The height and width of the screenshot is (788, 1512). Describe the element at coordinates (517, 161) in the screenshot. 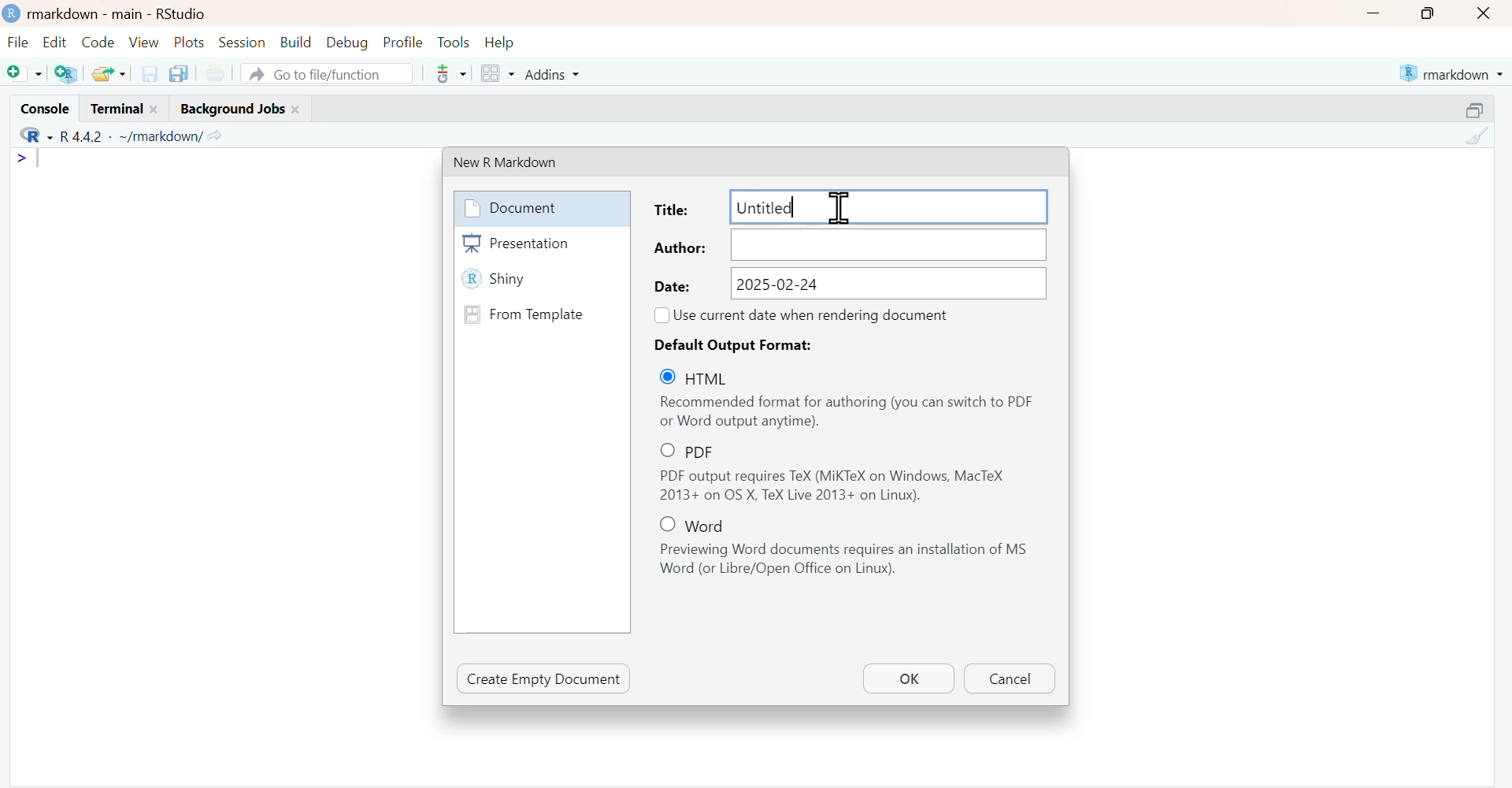

I see `new R Markdown` at that location.